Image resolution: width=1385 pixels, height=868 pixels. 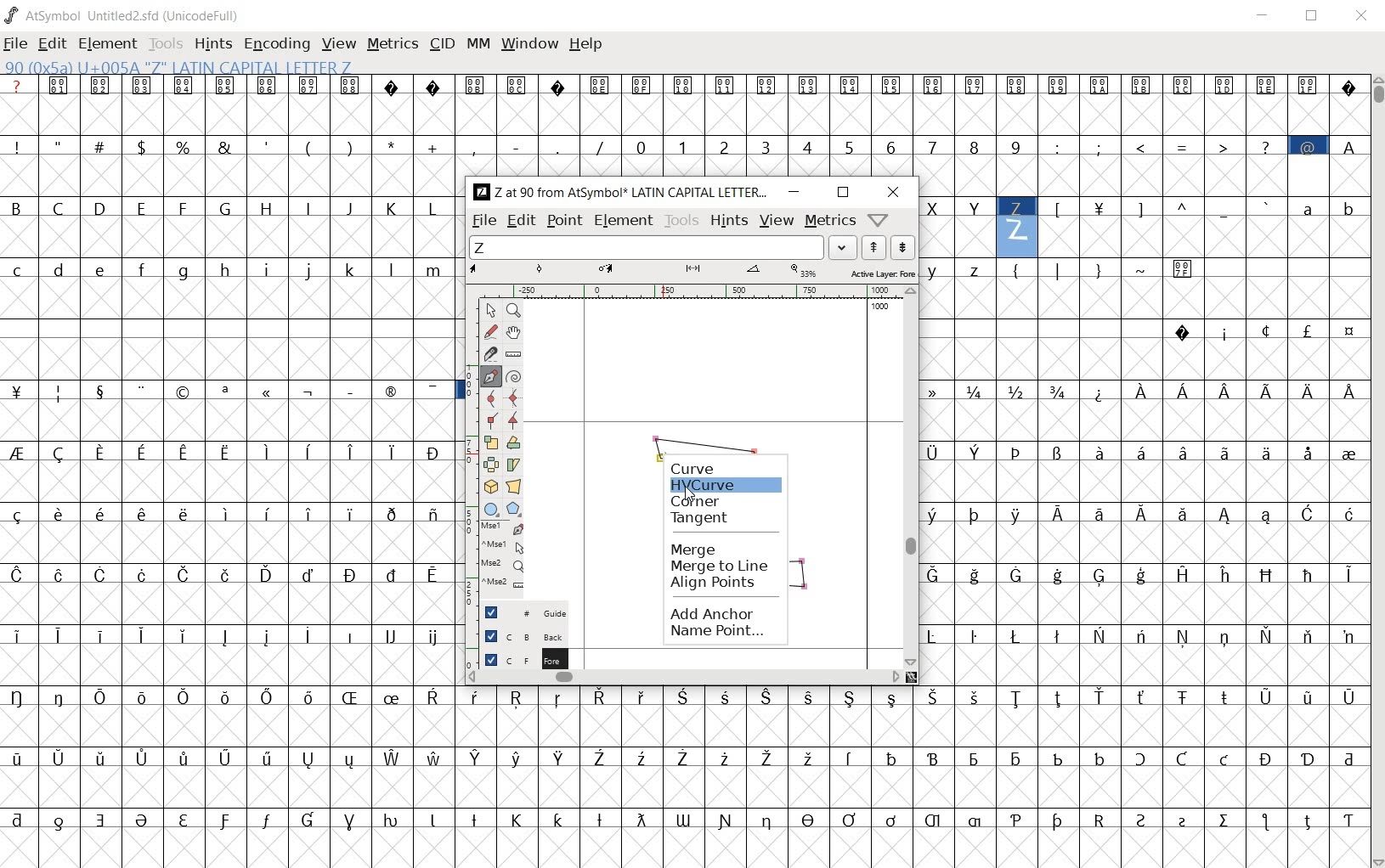 I want to click on tools, so click(x=682, y=221).